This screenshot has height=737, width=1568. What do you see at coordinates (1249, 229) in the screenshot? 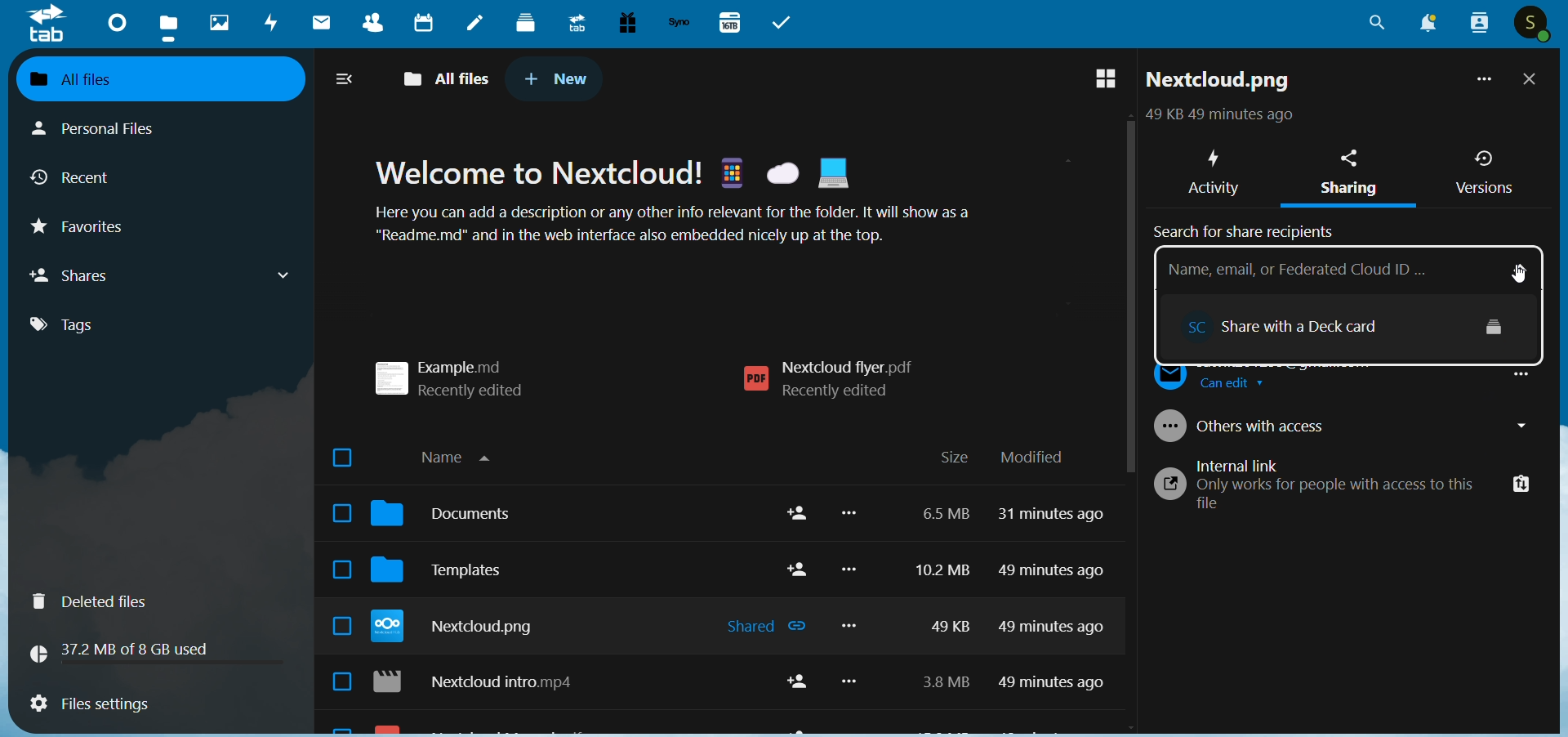
I see `search for share recipients` at bounding box center [1249, 229].